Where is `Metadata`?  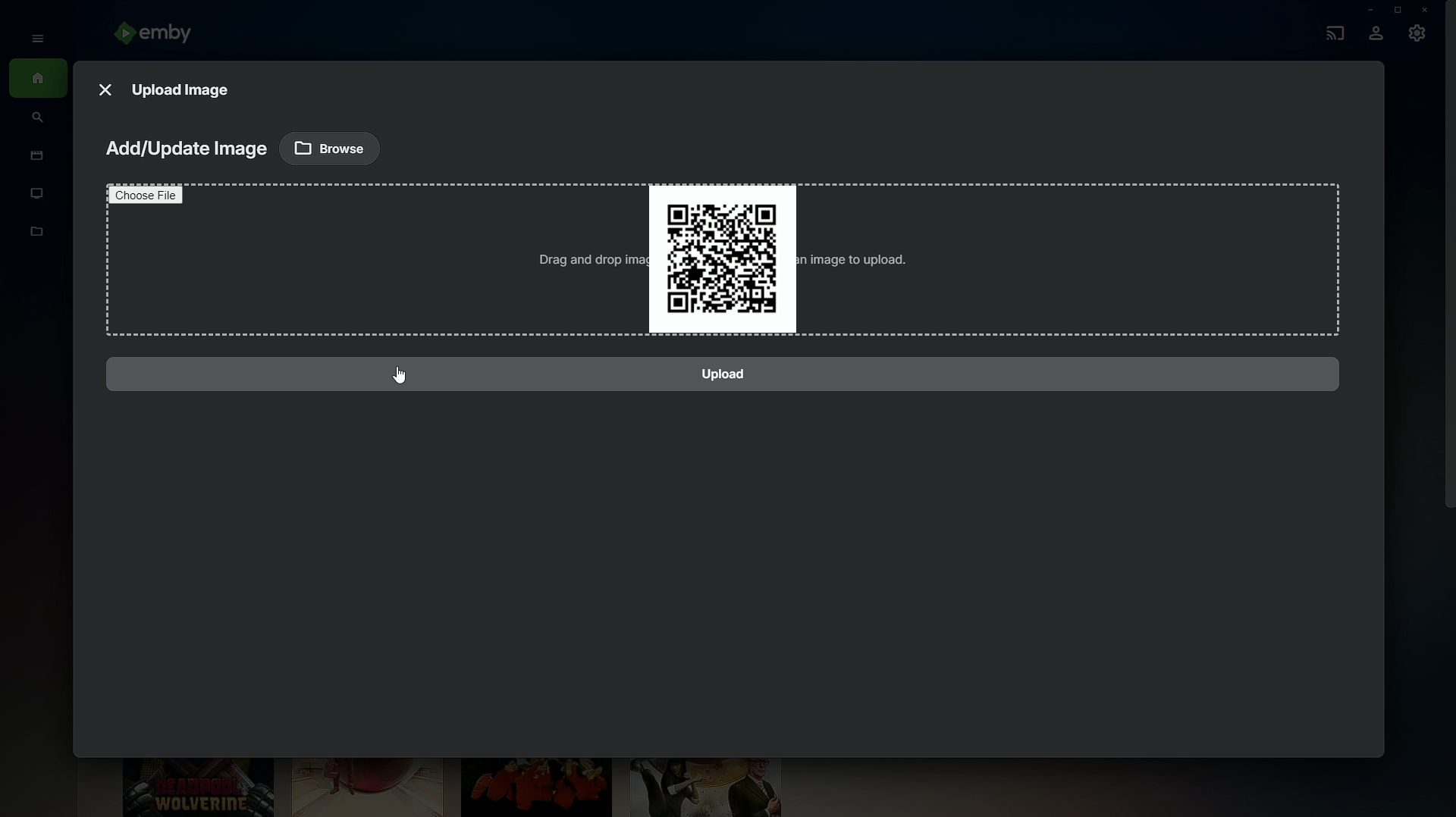 Metadata is located at coordinates (38, 239).